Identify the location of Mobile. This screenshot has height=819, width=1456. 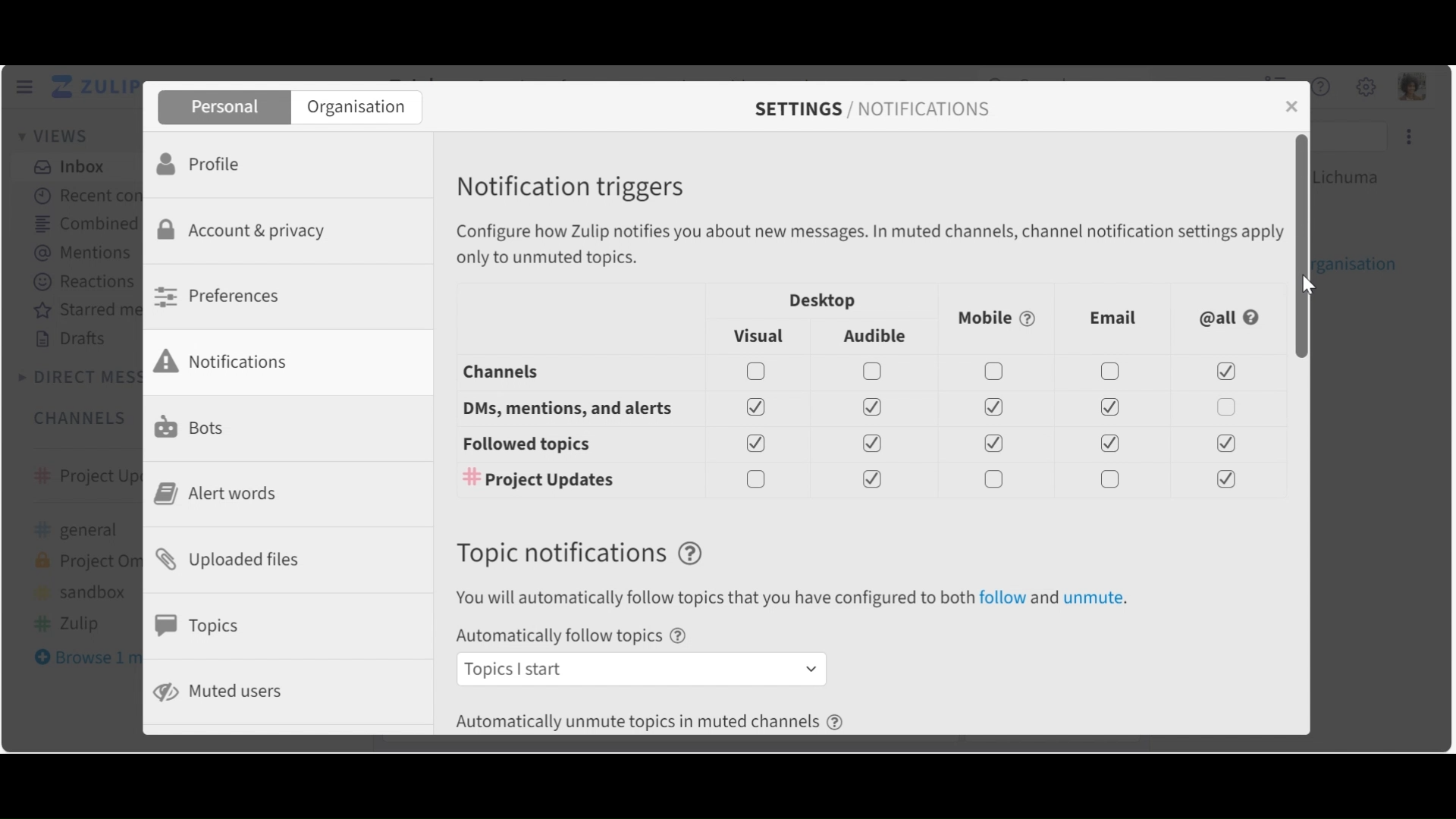
(994, 318).